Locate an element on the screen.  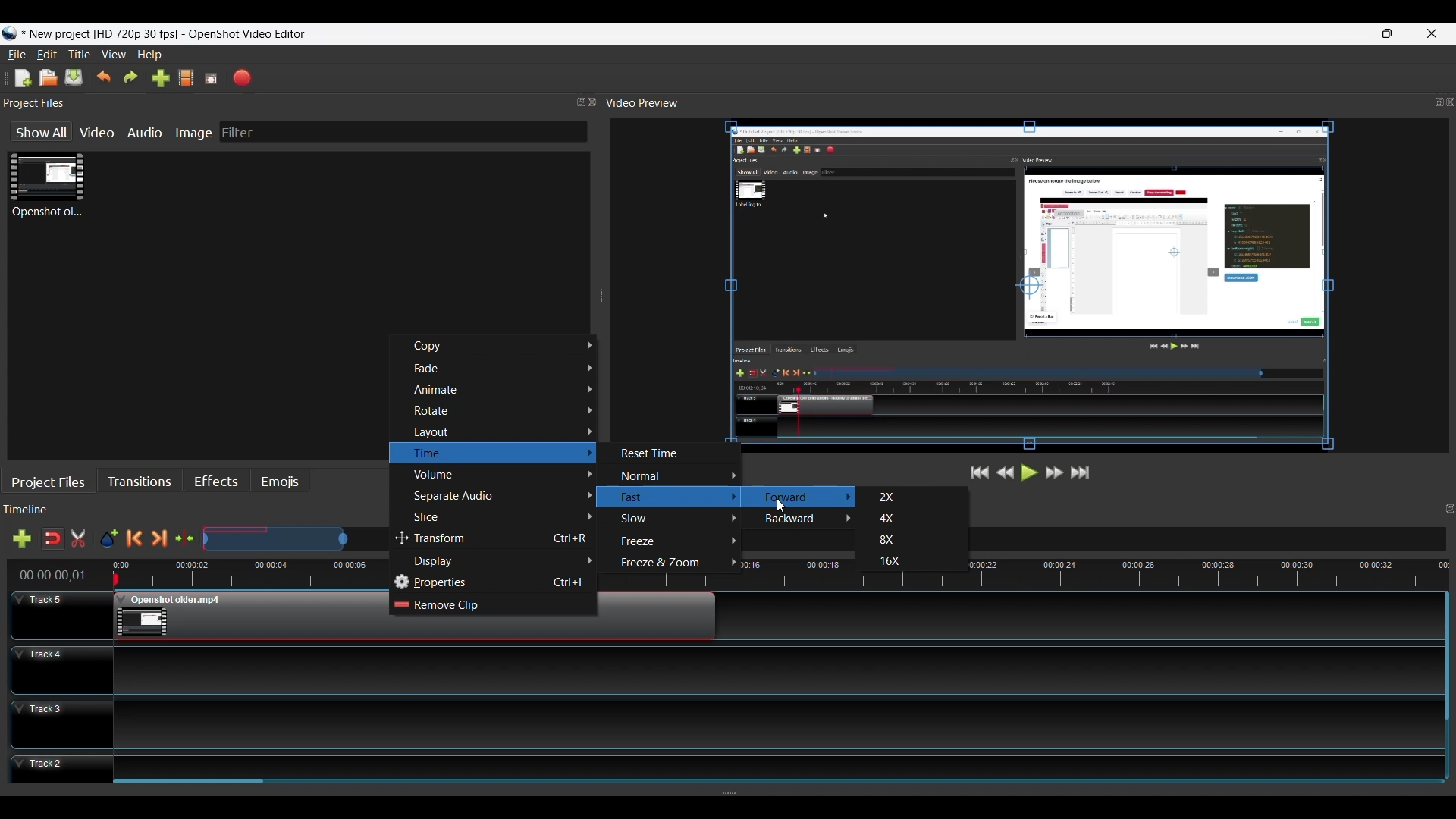
Emojis is located at coordinates (281, 483).